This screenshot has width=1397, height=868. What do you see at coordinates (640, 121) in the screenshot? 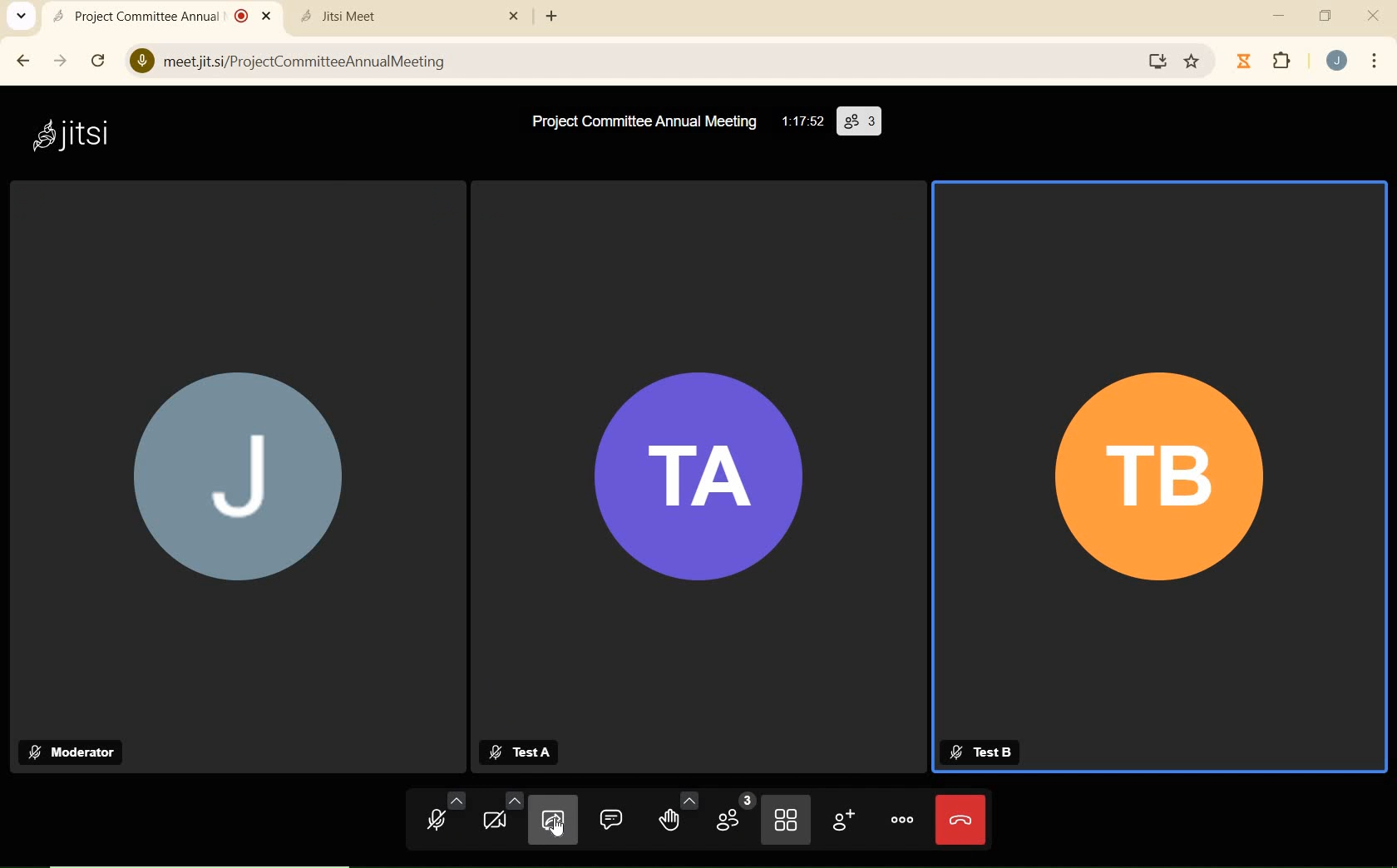
I see `Project Committee Annual Meeting` at bounding box center [640, 121].